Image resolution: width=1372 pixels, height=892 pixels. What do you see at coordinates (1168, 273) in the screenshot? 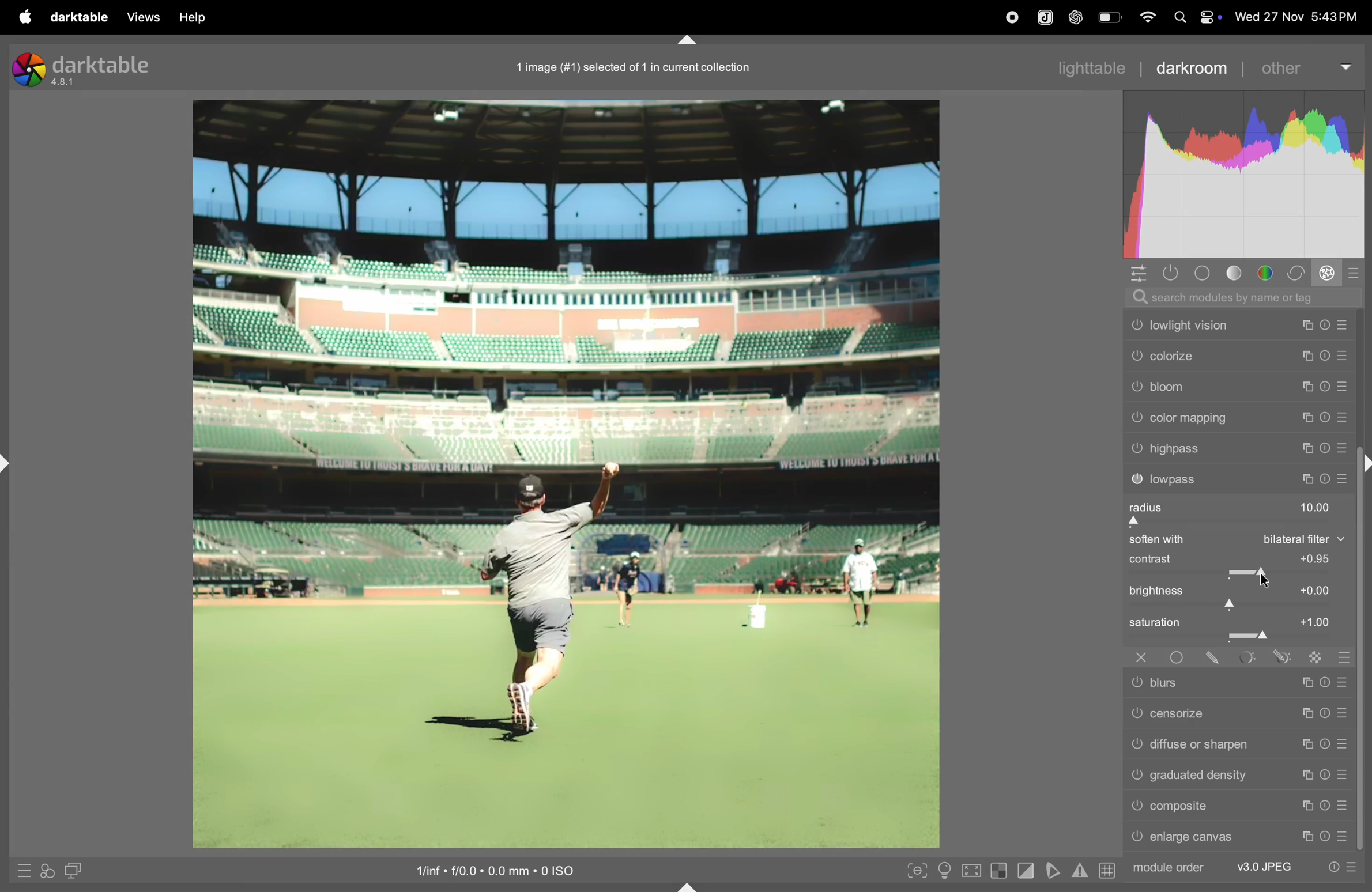
I see `show active modules` at bounding box center [1168, 273].